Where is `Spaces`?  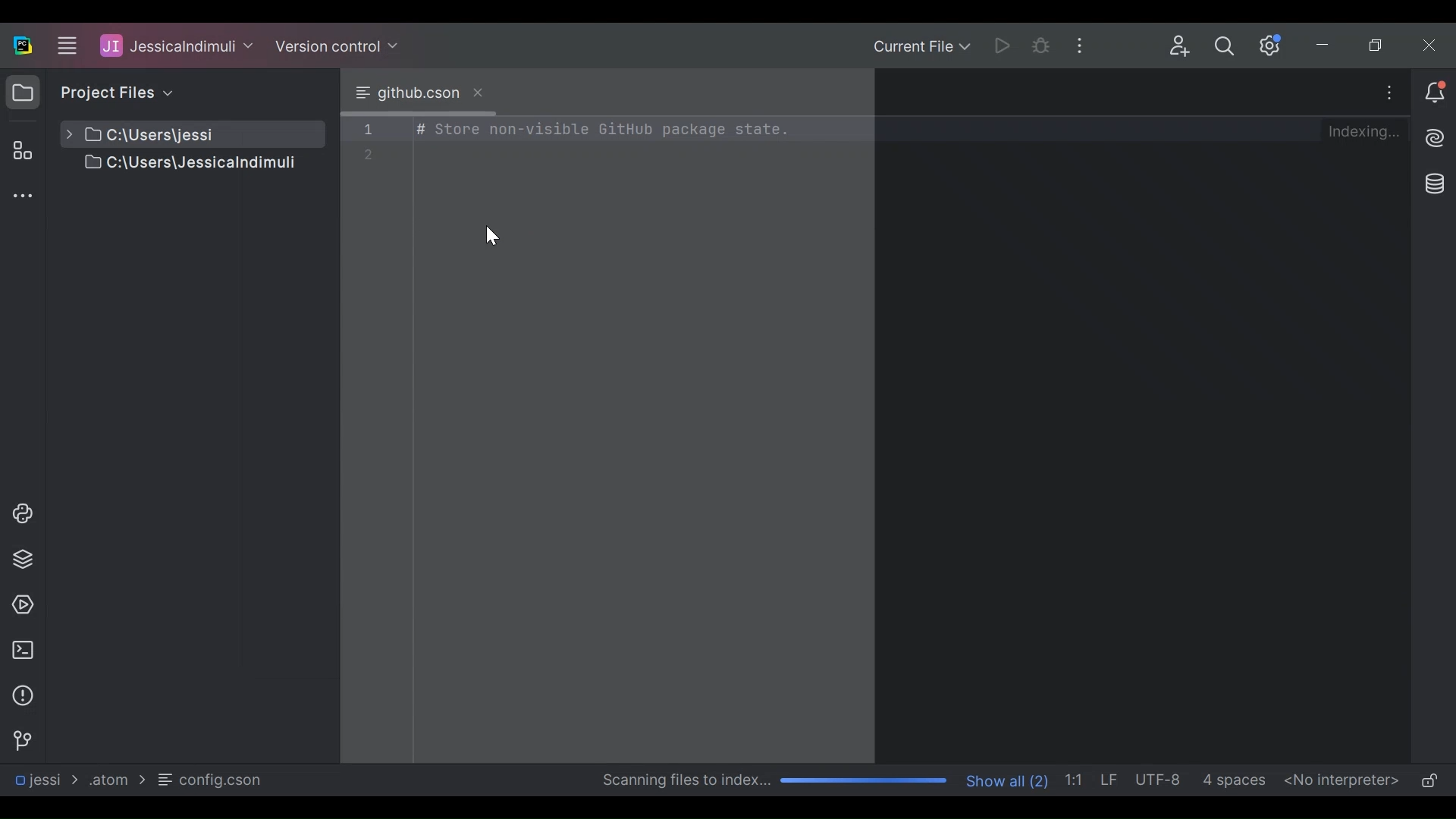 Spaces is located at coordinates (1236, 780).